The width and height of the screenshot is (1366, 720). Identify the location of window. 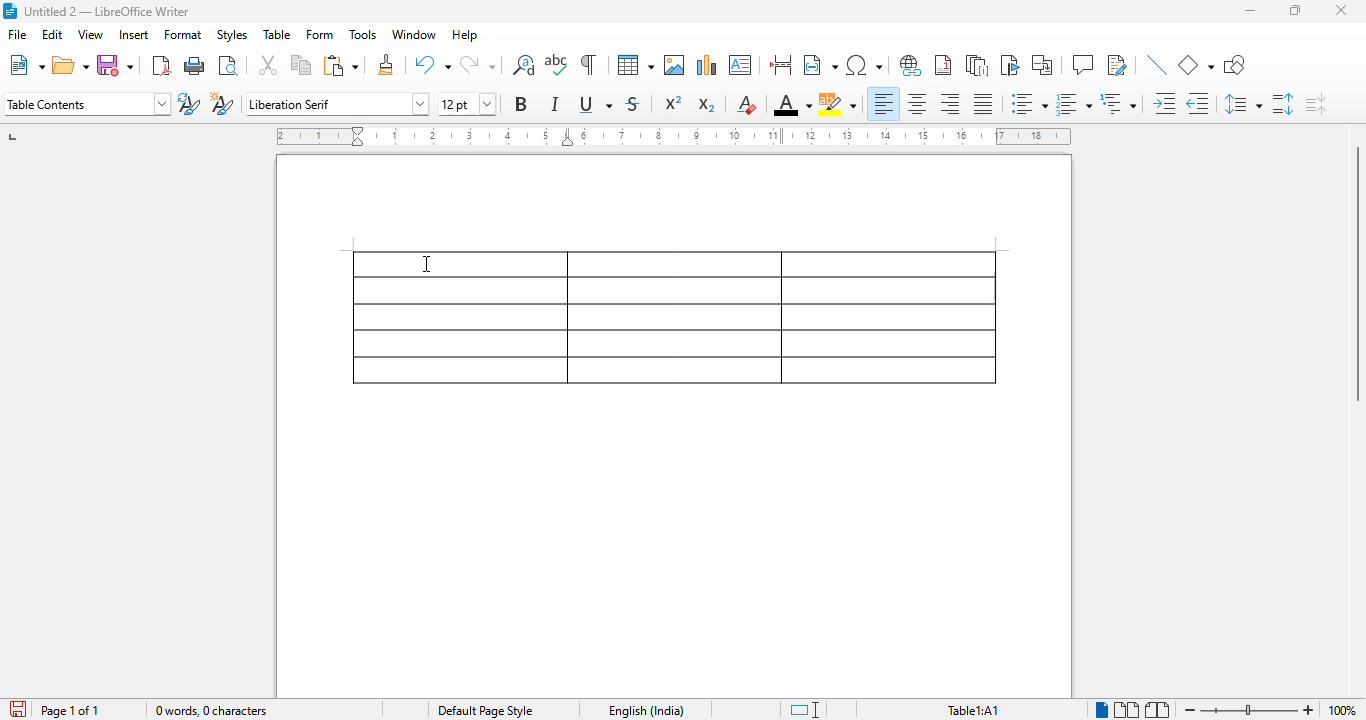
(414, 34).